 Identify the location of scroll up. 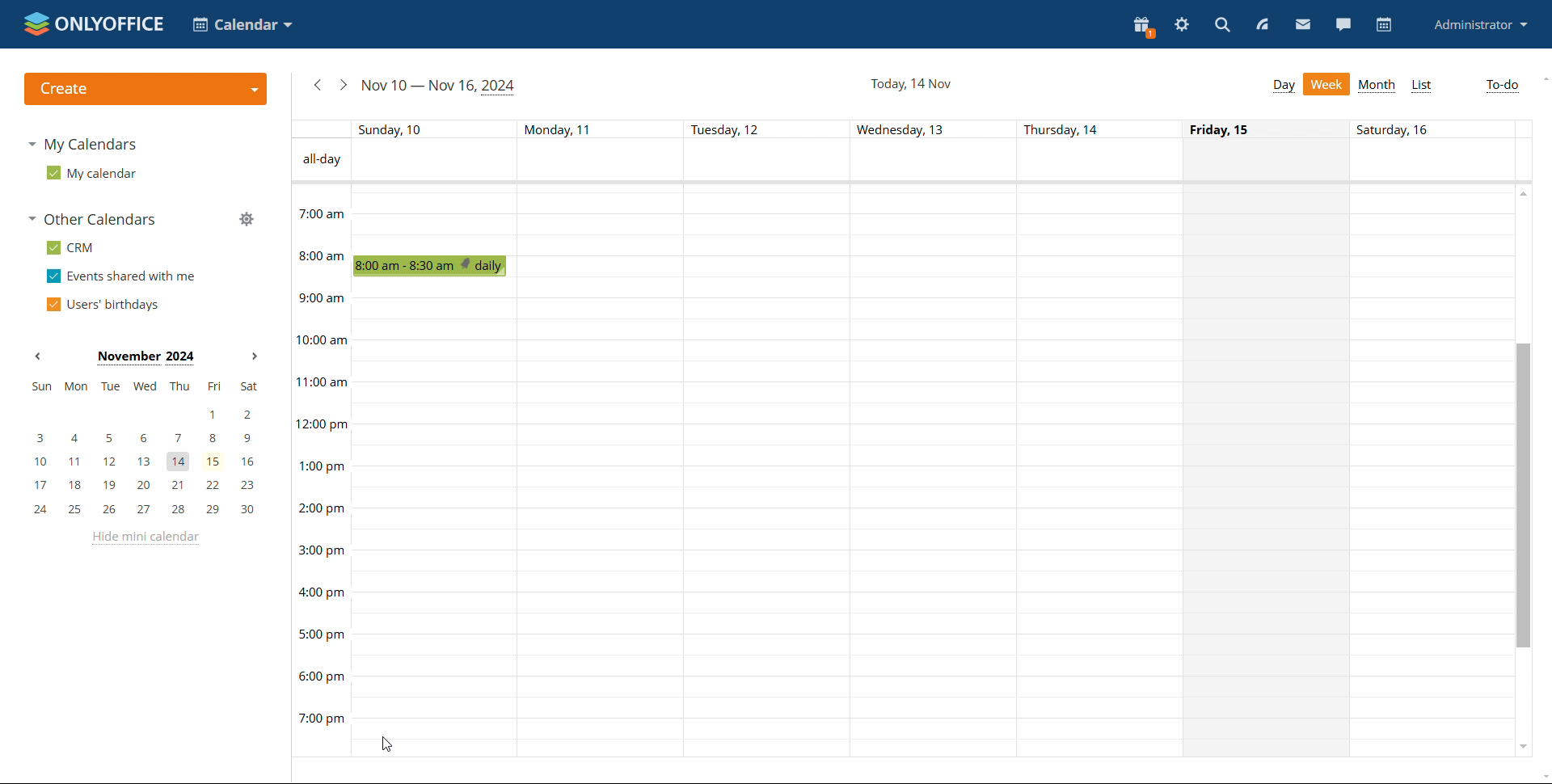
(1542, 78).